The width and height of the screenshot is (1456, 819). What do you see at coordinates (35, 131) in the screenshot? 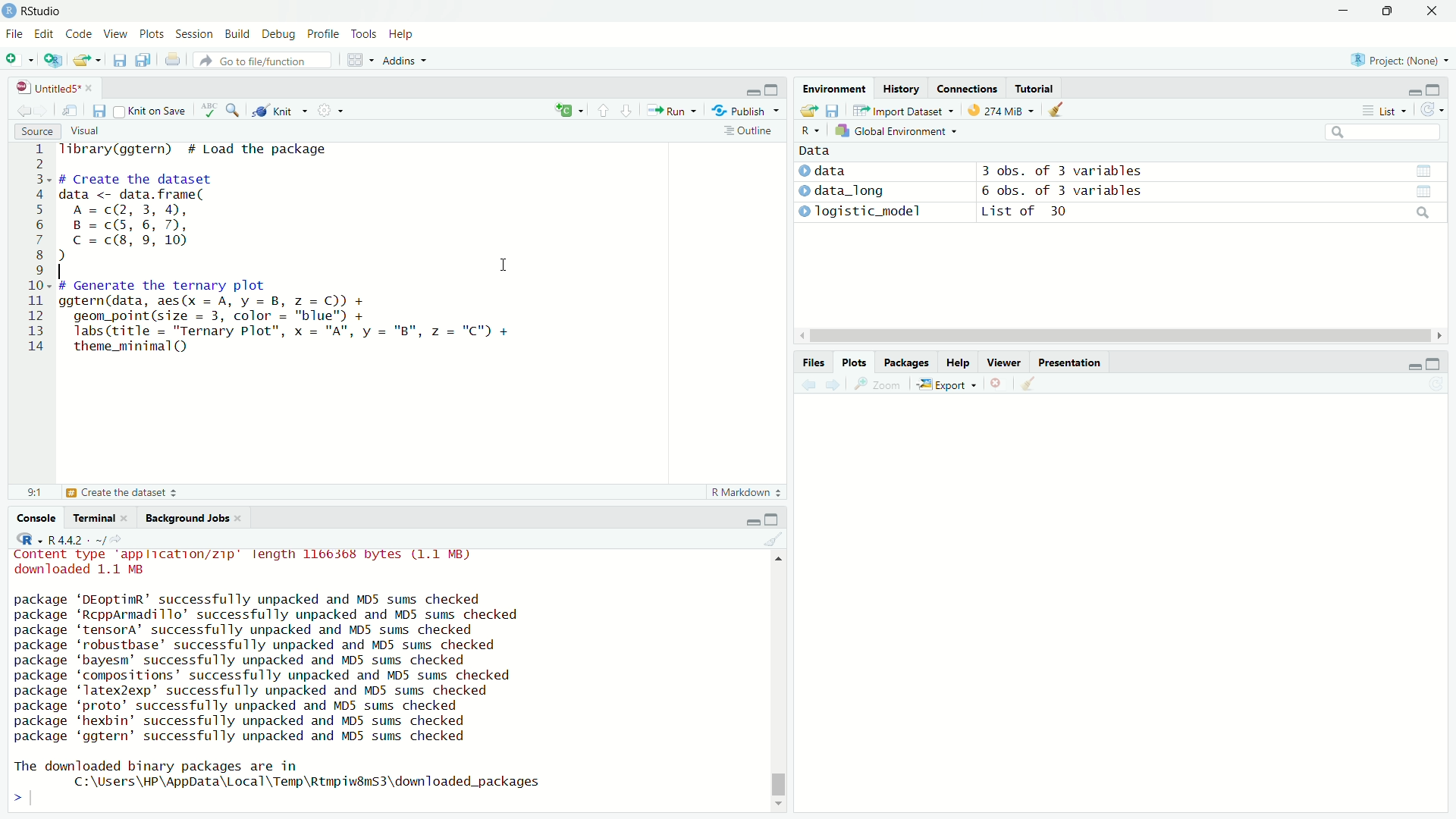
I see `Source` at bounding box center [35, 131].